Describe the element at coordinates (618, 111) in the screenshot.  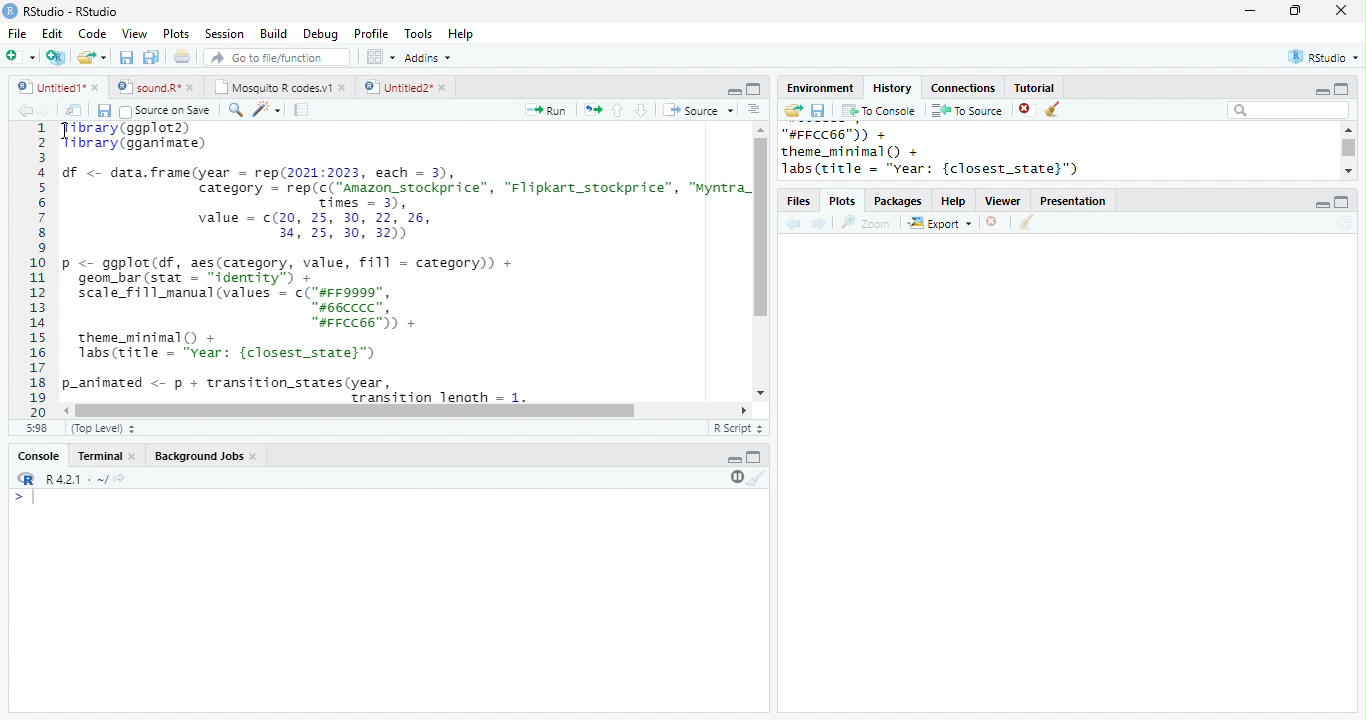
I see `up` at that location.